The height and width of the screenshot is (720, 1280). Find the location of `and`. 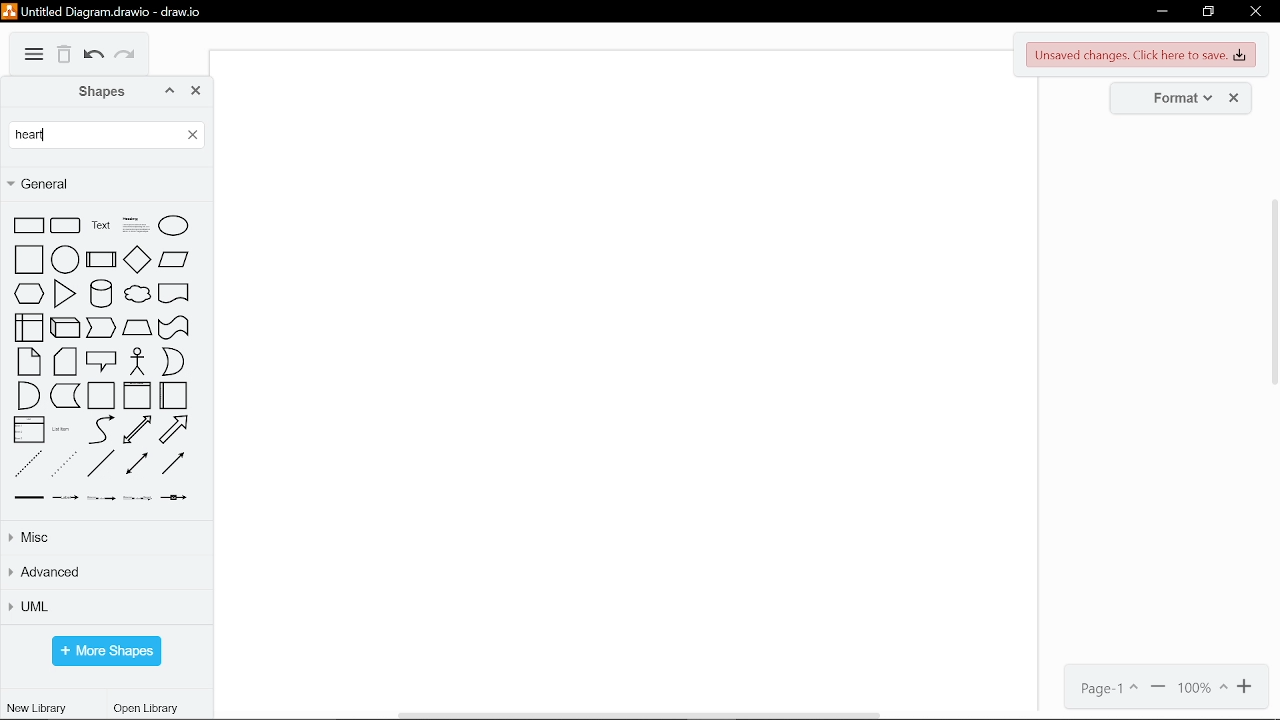

and is located at coordinates (28, 396).